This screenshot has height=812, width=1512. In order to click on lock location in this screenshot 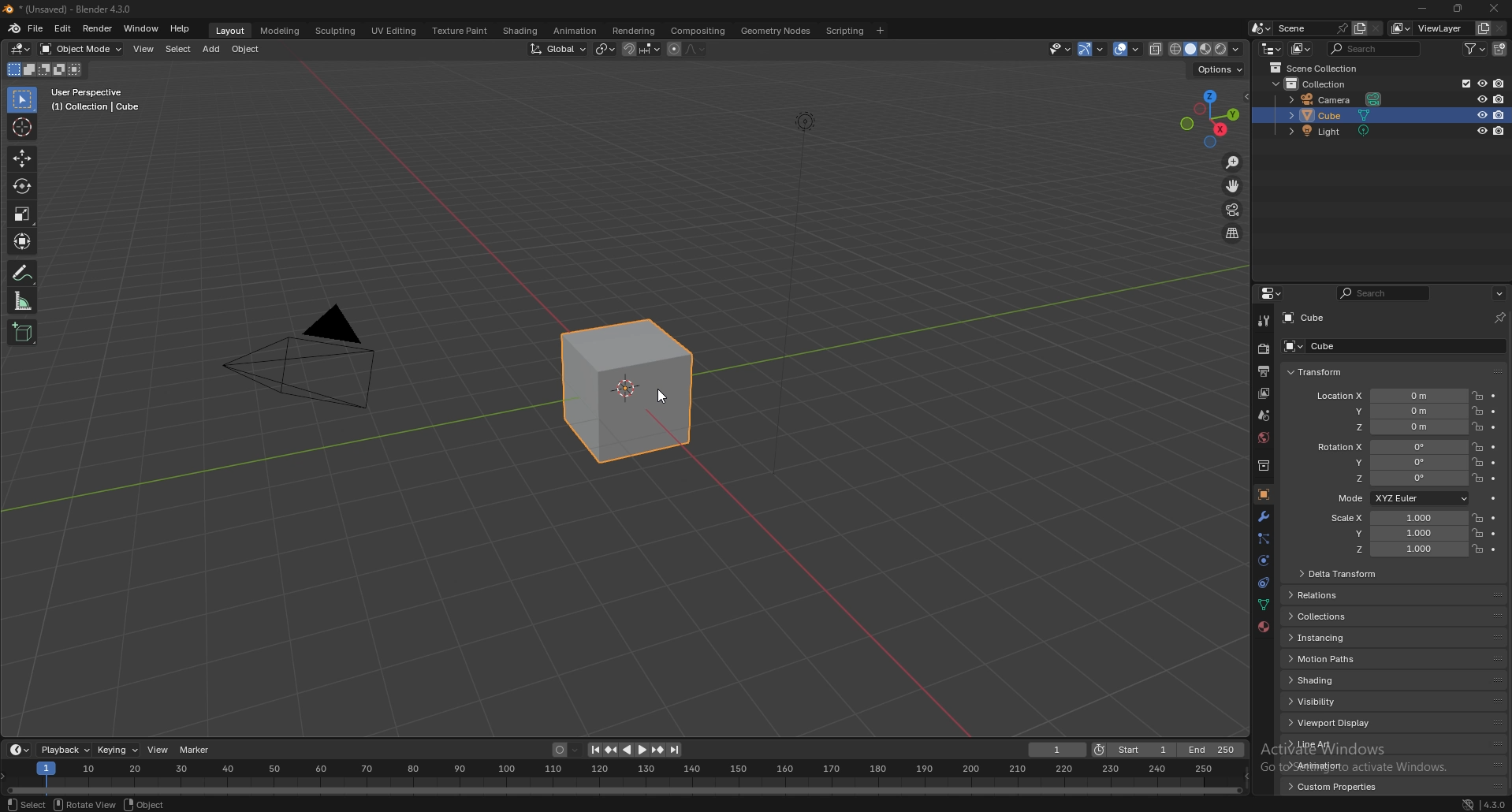, I will do `click(1478, 462)`.